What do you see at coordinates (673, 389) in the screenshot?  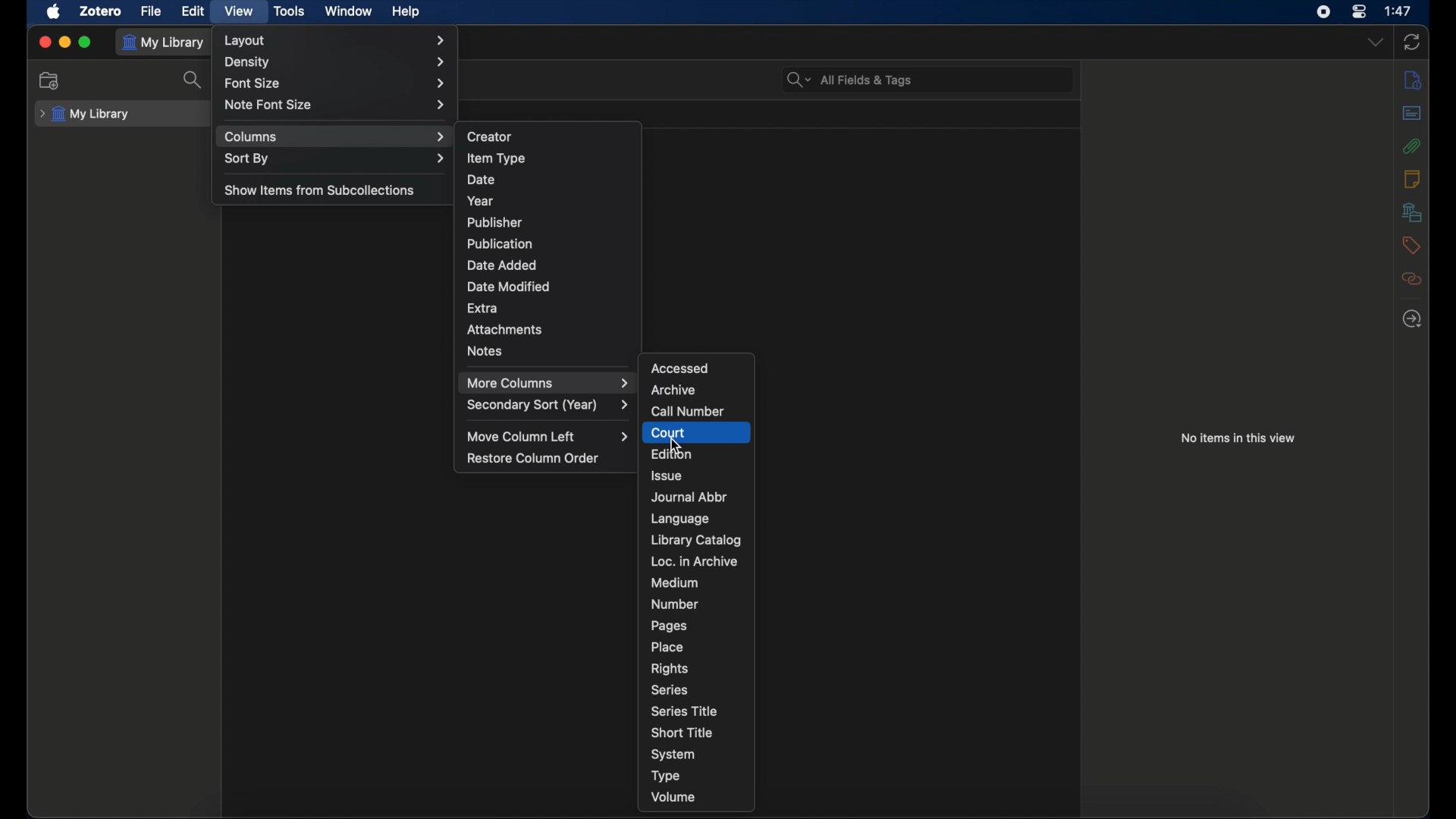 I see `archive` at bounding box center [673, 389].